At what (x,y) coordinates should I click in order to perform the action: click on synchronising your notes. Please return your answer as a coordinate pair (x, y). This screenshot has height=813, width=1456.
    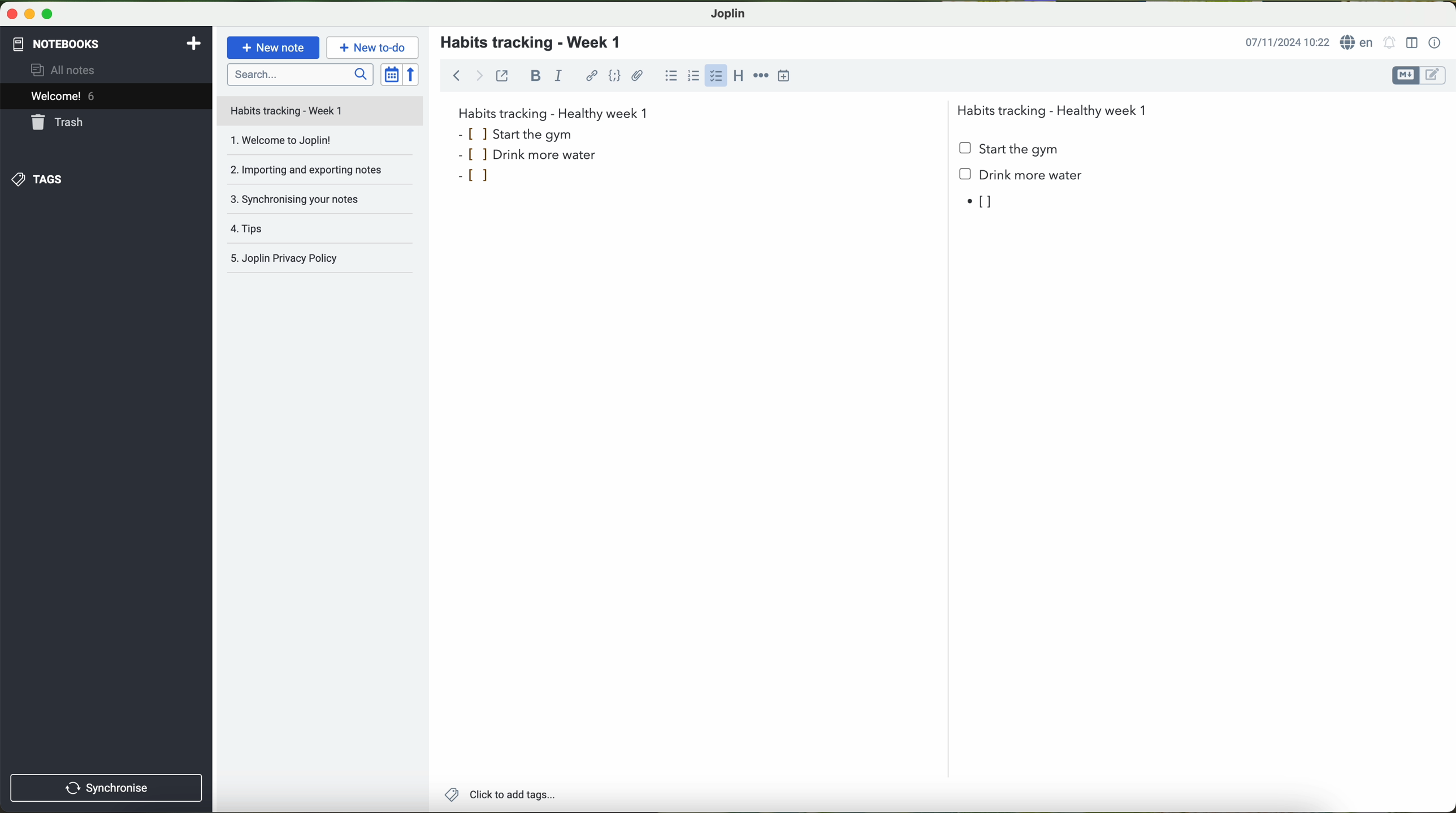
    Looking at the image, I should click on (324, 203).